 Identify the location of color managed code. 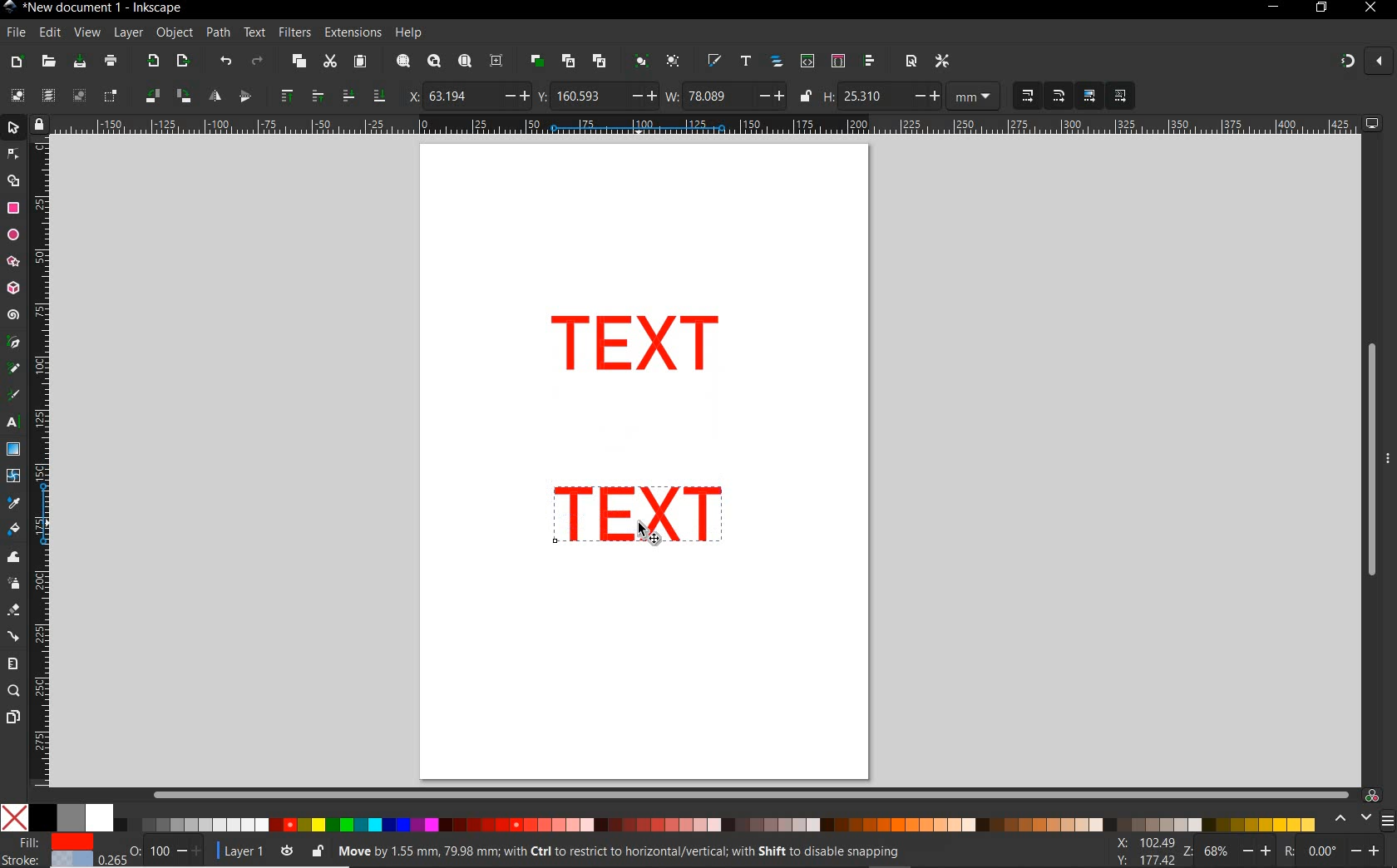
(1372, 795).